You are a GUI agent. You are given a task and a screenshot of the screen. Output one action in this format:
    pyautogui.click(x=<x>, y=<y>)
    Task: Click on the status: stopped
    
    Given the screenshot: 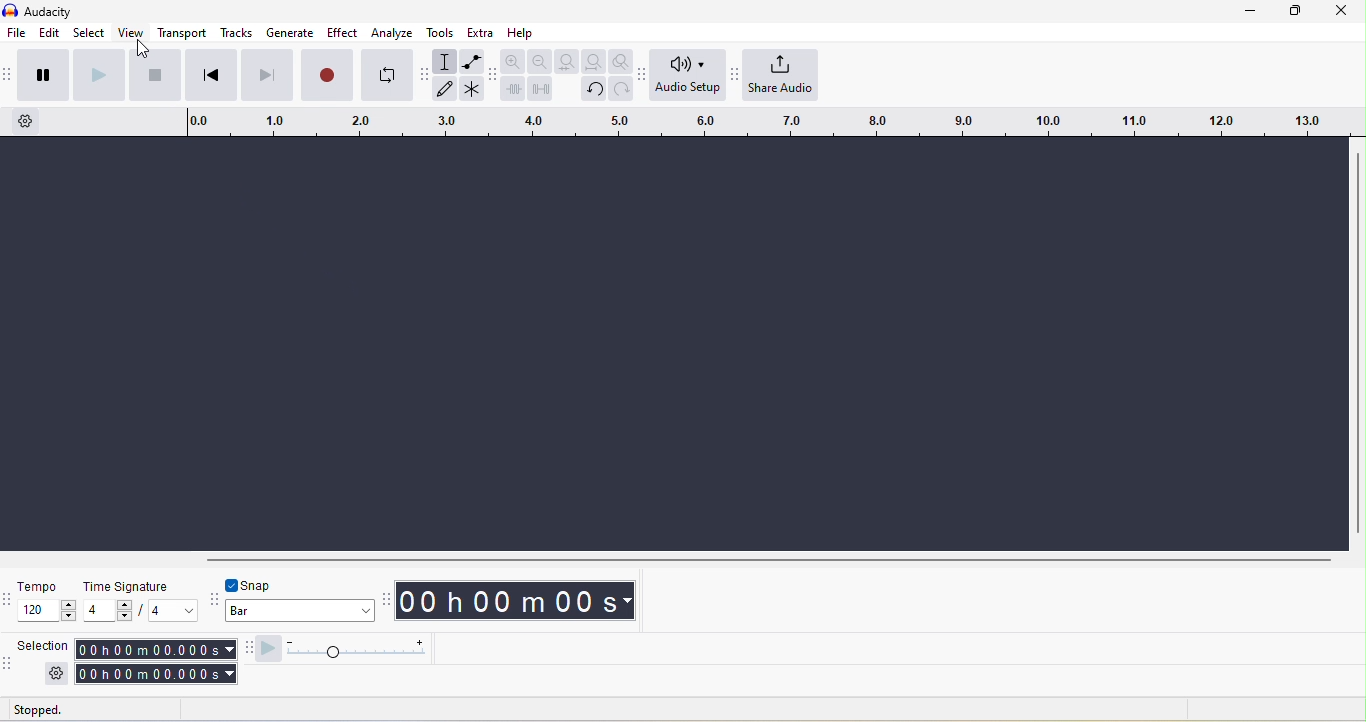 What is the action you would take?
    pyautogui.click(x=37, y=712)
    